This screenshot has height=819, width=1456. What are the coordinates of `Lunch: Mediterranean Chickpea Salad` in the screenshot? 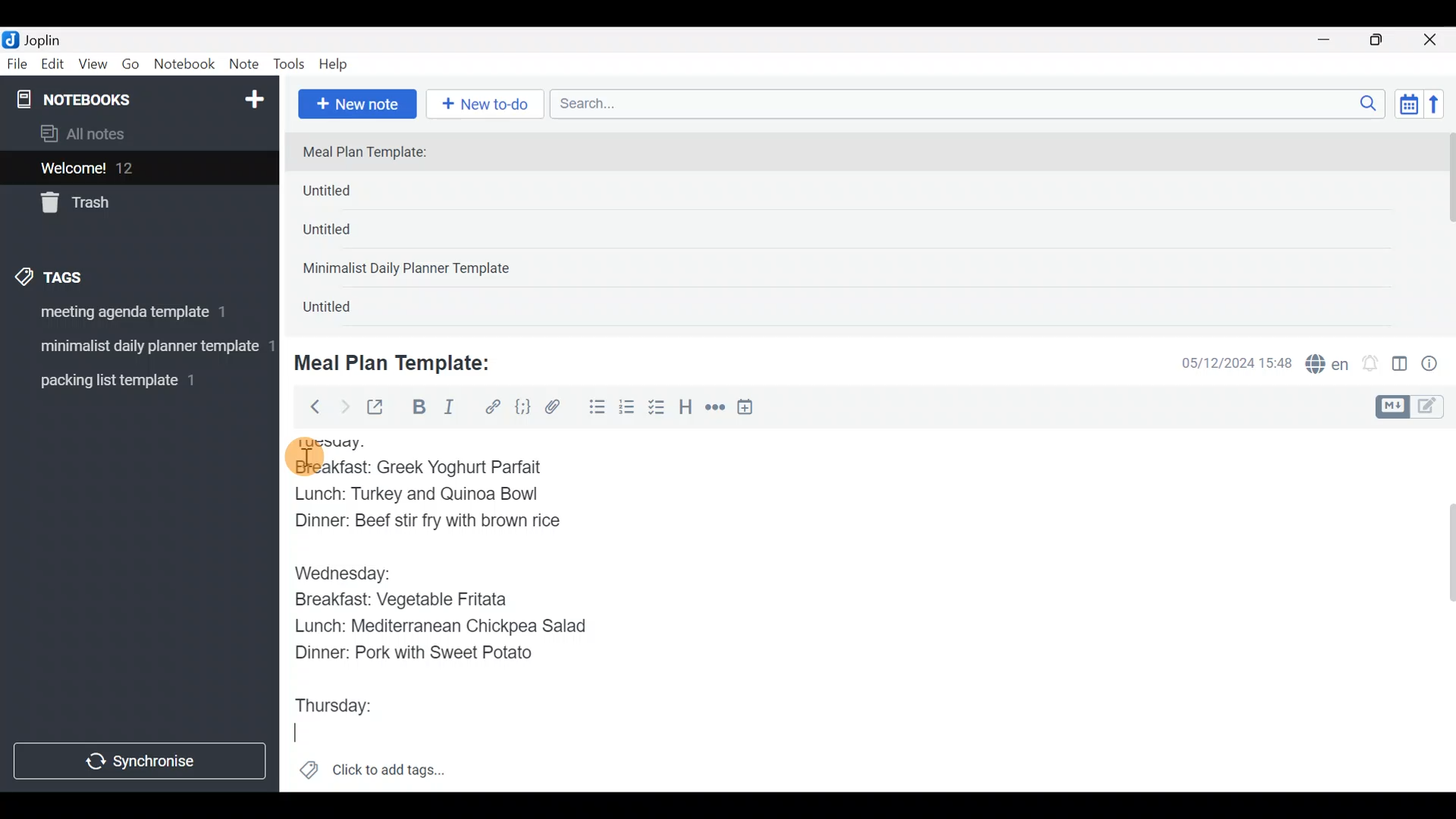 It's located at (447, 628).